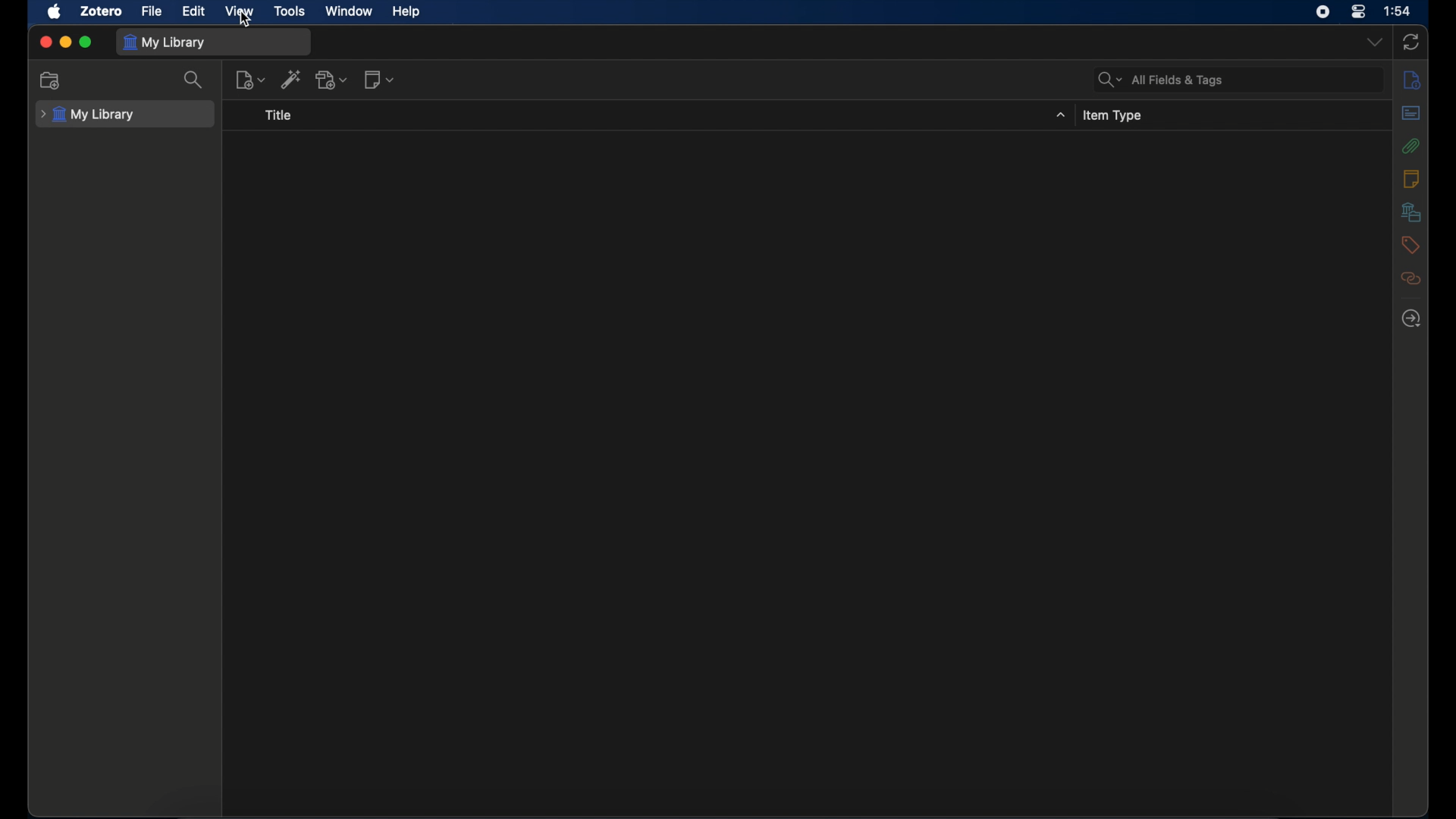  What do you see at coordinates (165, 42) in the screenshot?
I see `my library` at bounding box center [165, 42].